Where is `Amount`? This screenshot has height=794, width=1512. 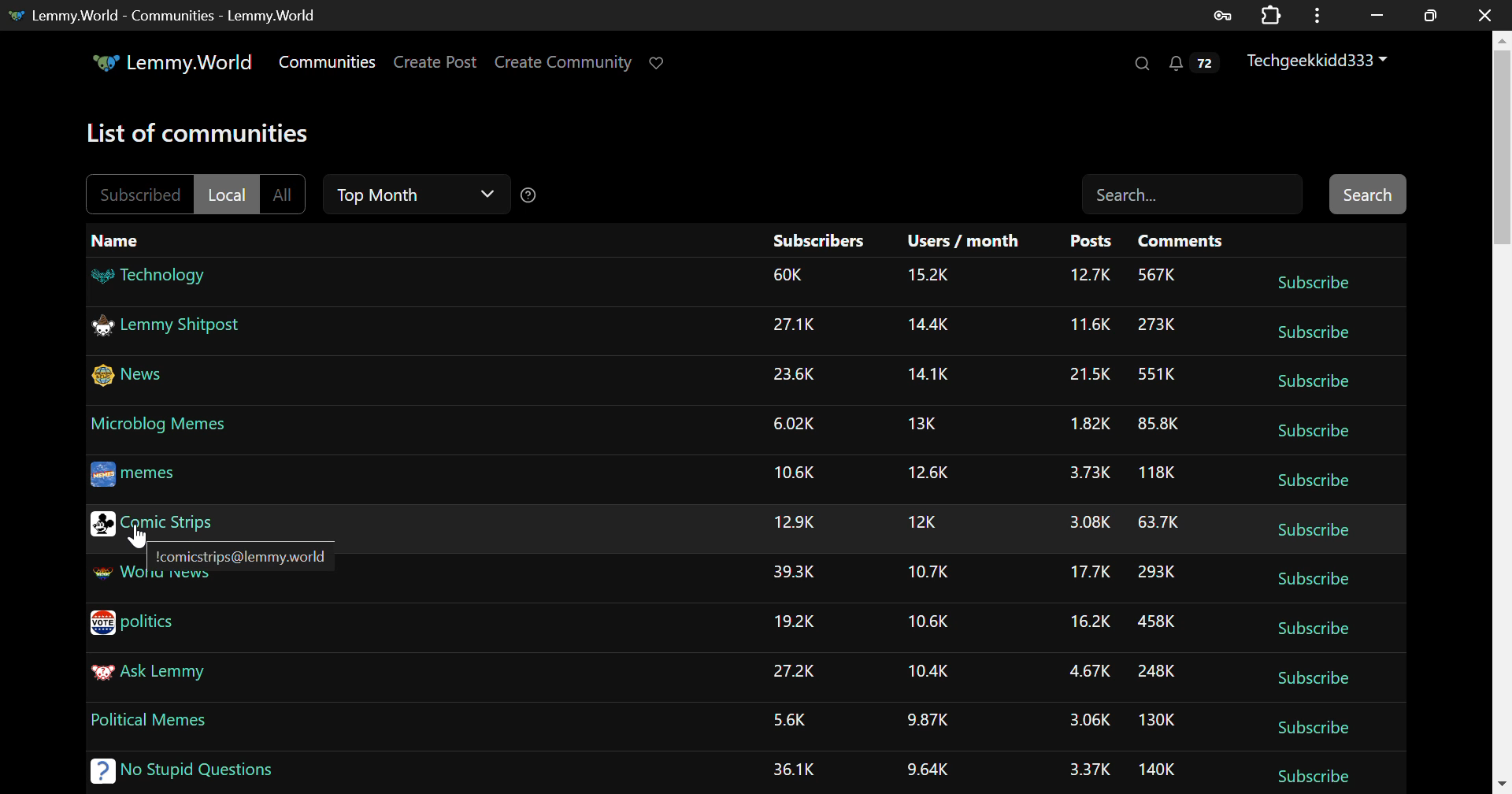 Amount is located at coordinates (1084, 372).